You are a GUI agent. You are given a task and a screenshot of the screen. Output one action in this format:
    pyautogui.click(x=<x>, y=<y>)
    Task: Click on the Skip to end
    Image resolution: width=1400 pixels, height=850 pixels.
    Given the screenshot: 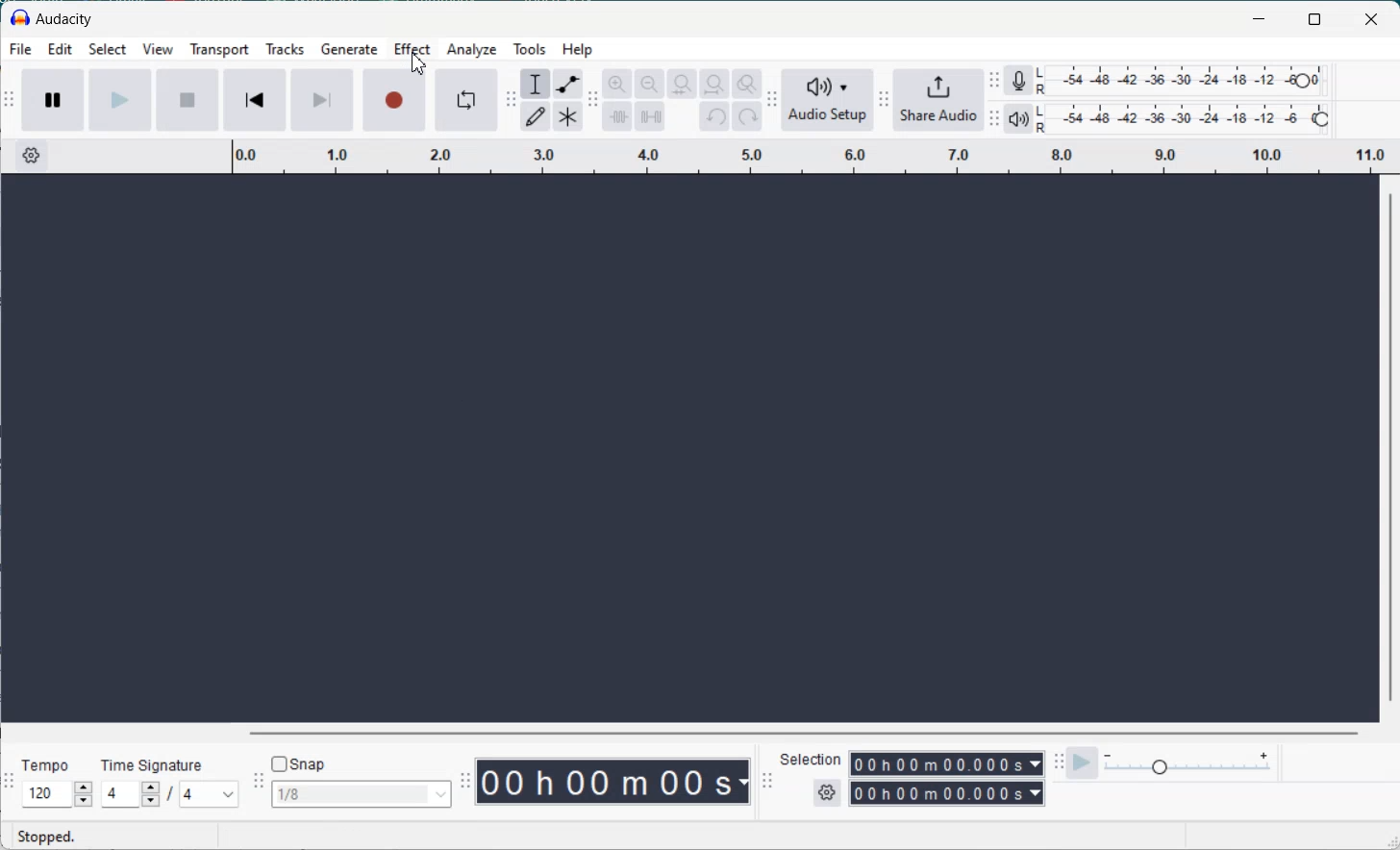 What is the action you would take?
    pyautogui.click(x=322, y=100)
    